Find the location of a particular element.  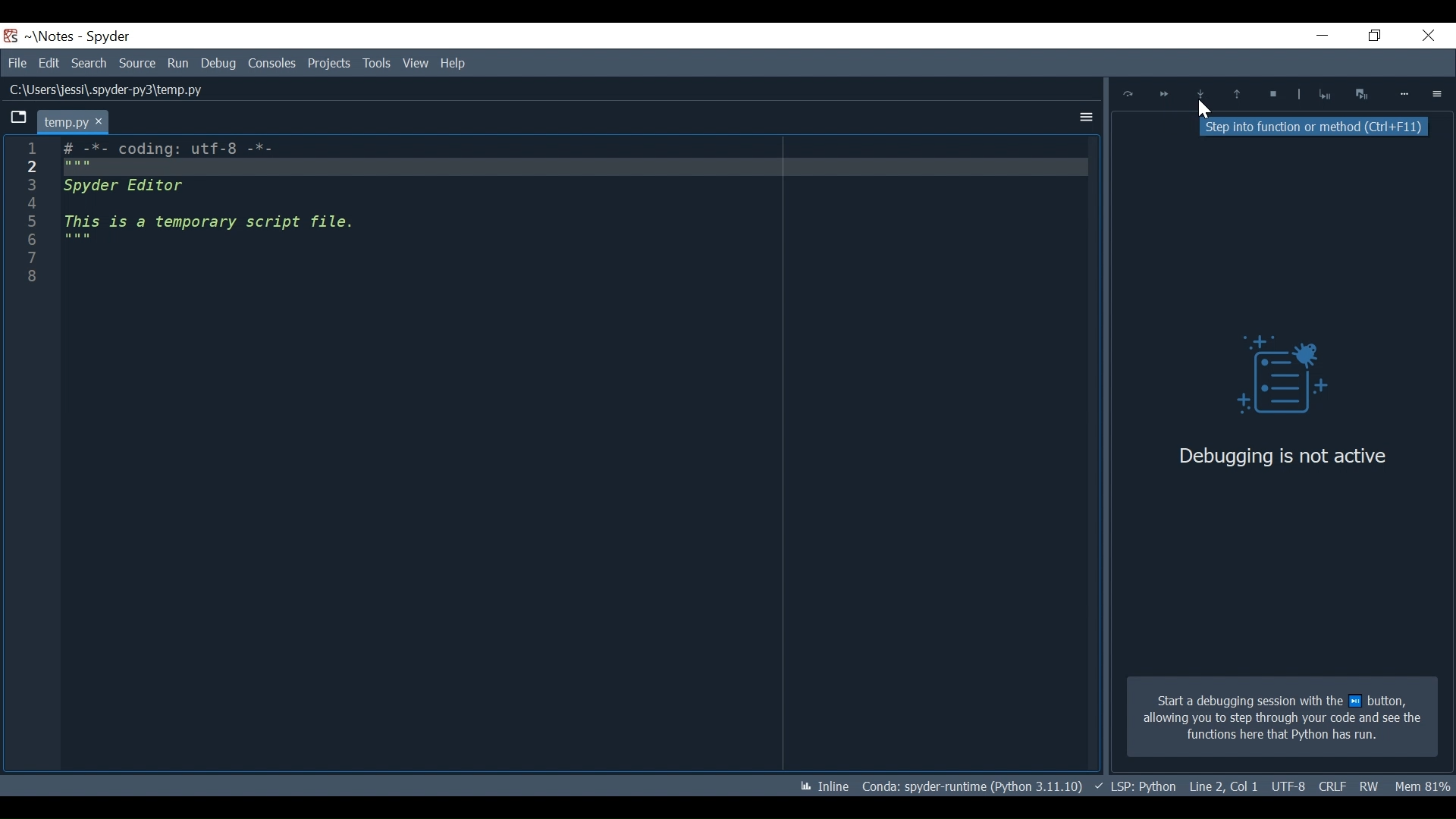

Tools is located at coordinates (331, 63).